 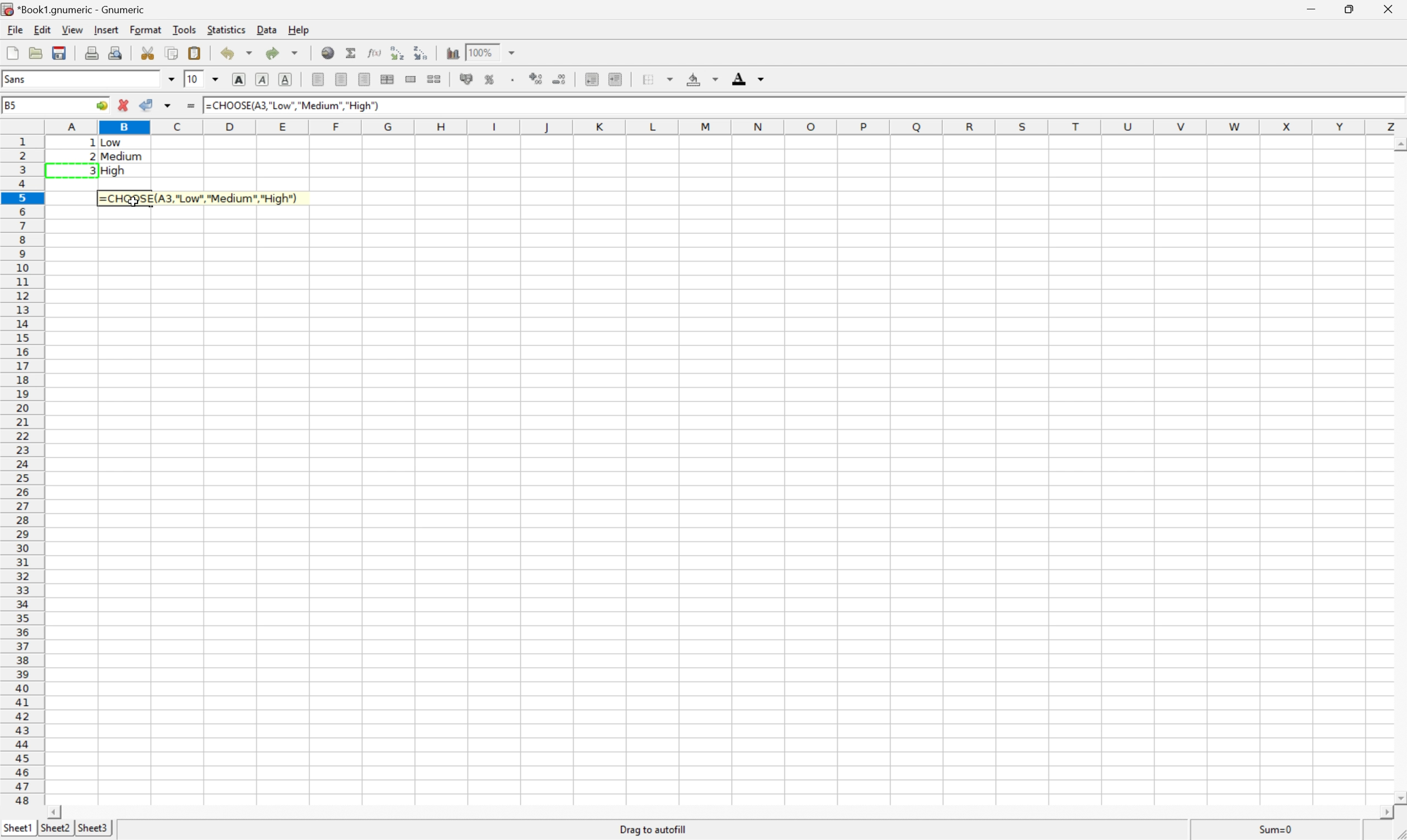 I want to click on Cancel changes, so click(x=123, y=104).